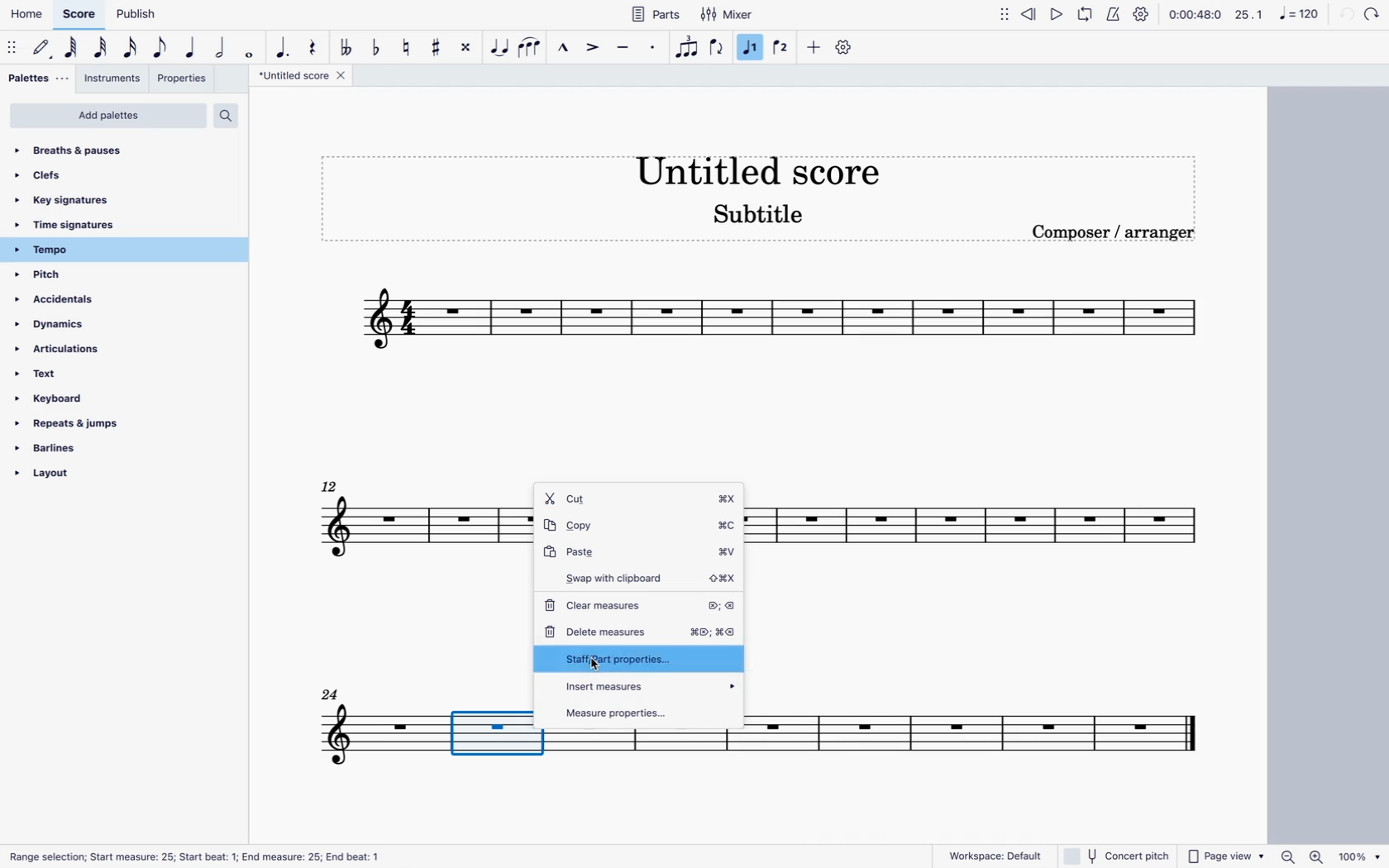 This screenshot has height=868, width=1389. I want to click on key signatures, so click(85, 203).